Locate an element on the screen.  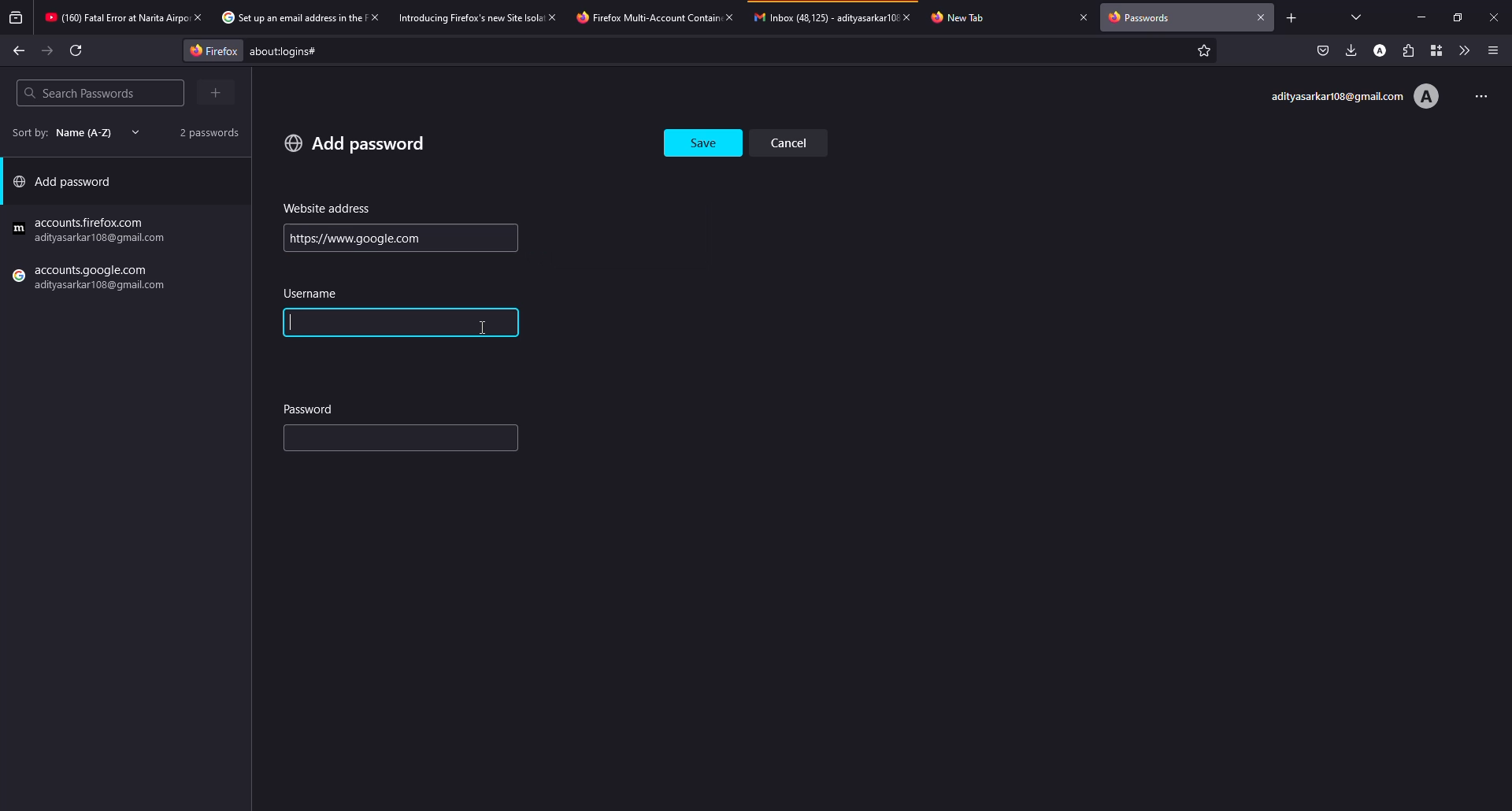
close is located at coordinates (912, 17).